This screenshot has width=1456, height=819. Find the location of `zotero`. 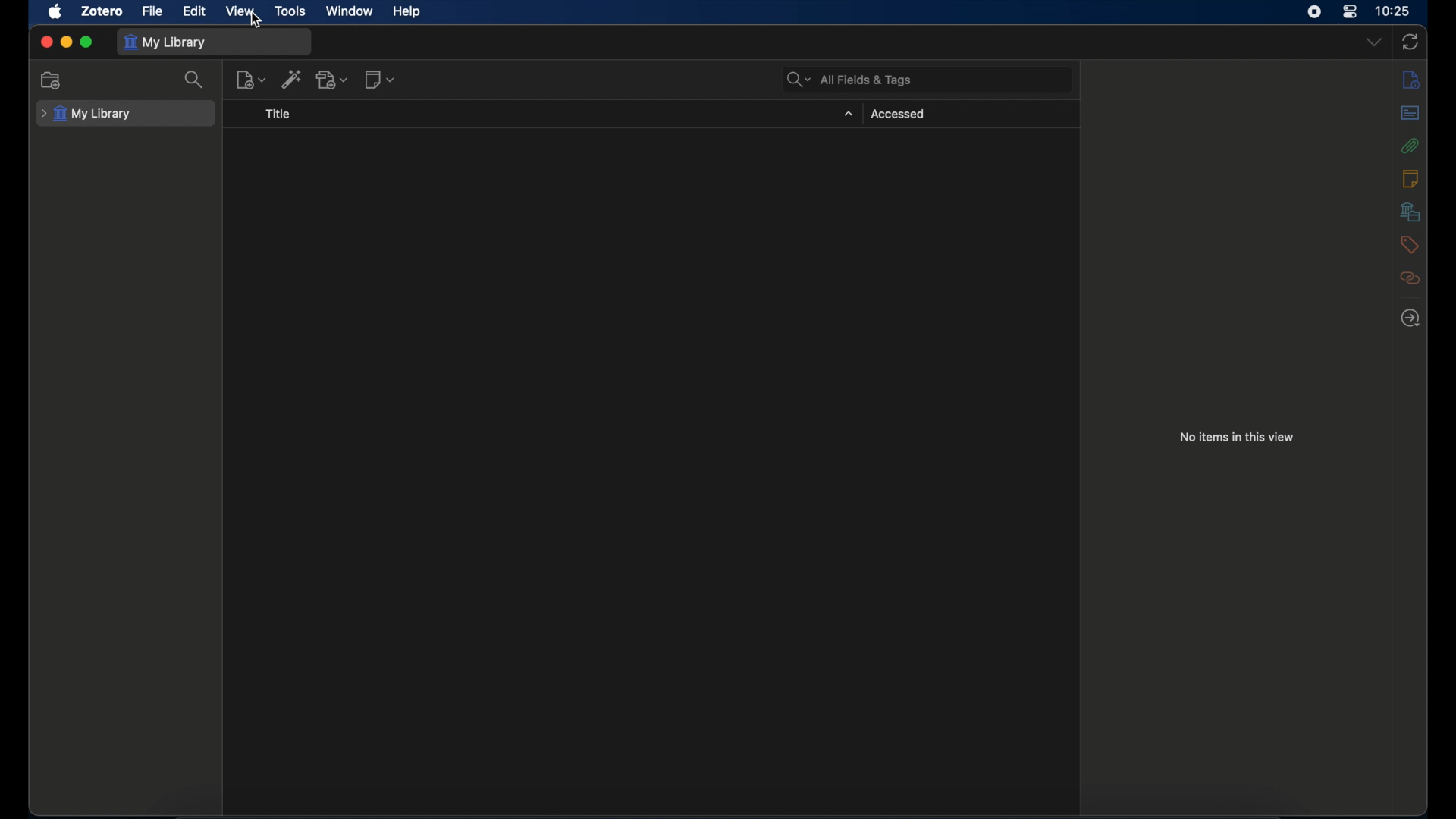

zotero is located at coordinates (102, 11).